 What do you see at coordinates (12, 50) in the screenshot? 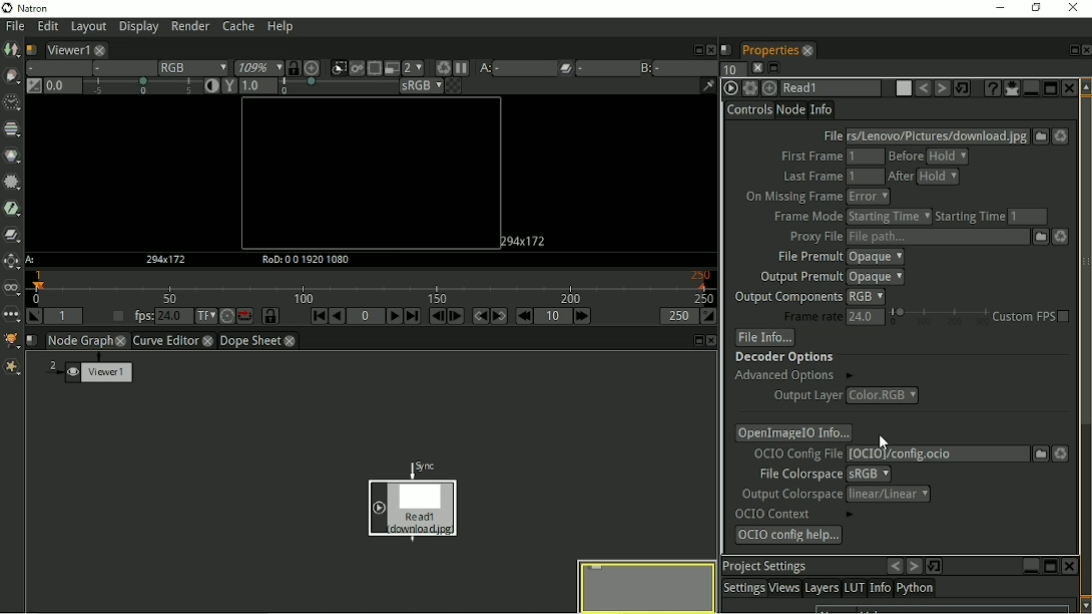
I see `Image` at bounding box center [12, 50].